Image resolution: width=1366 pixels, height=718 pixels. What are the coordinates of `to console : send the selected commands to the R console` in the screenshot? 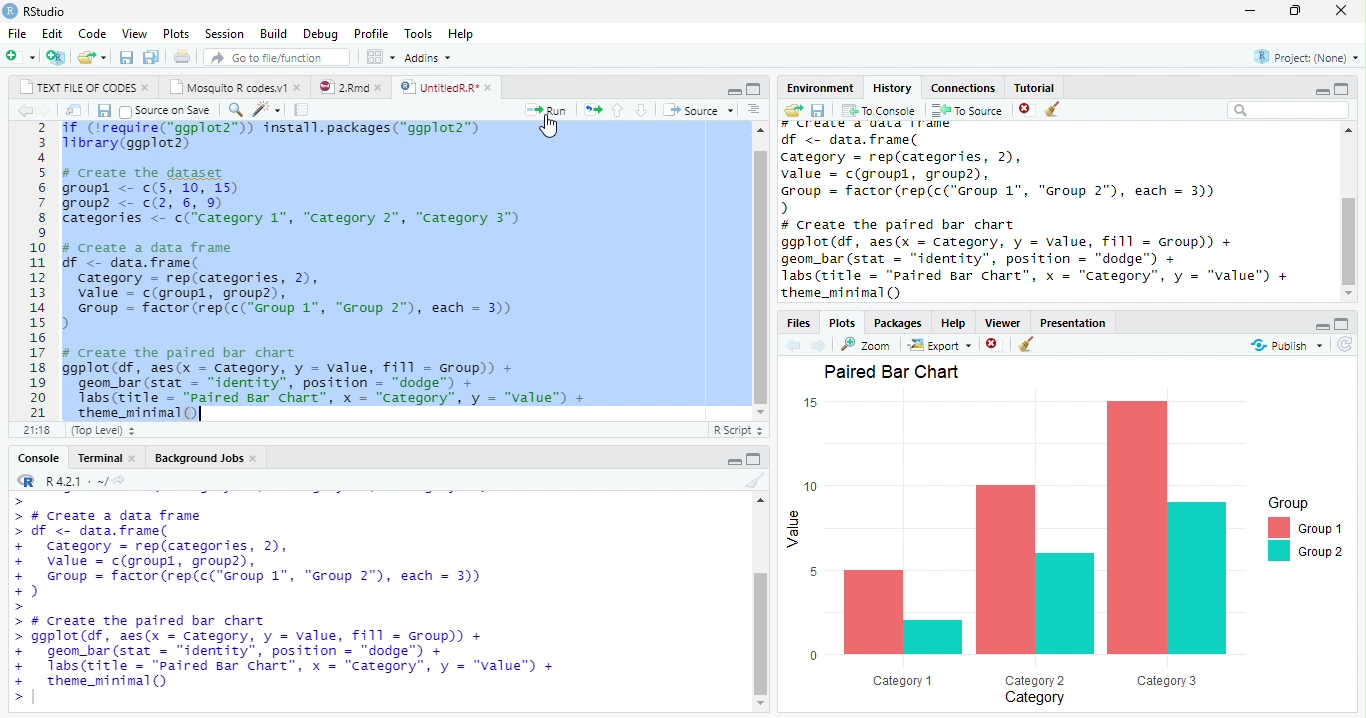 It's located at (877, 110).